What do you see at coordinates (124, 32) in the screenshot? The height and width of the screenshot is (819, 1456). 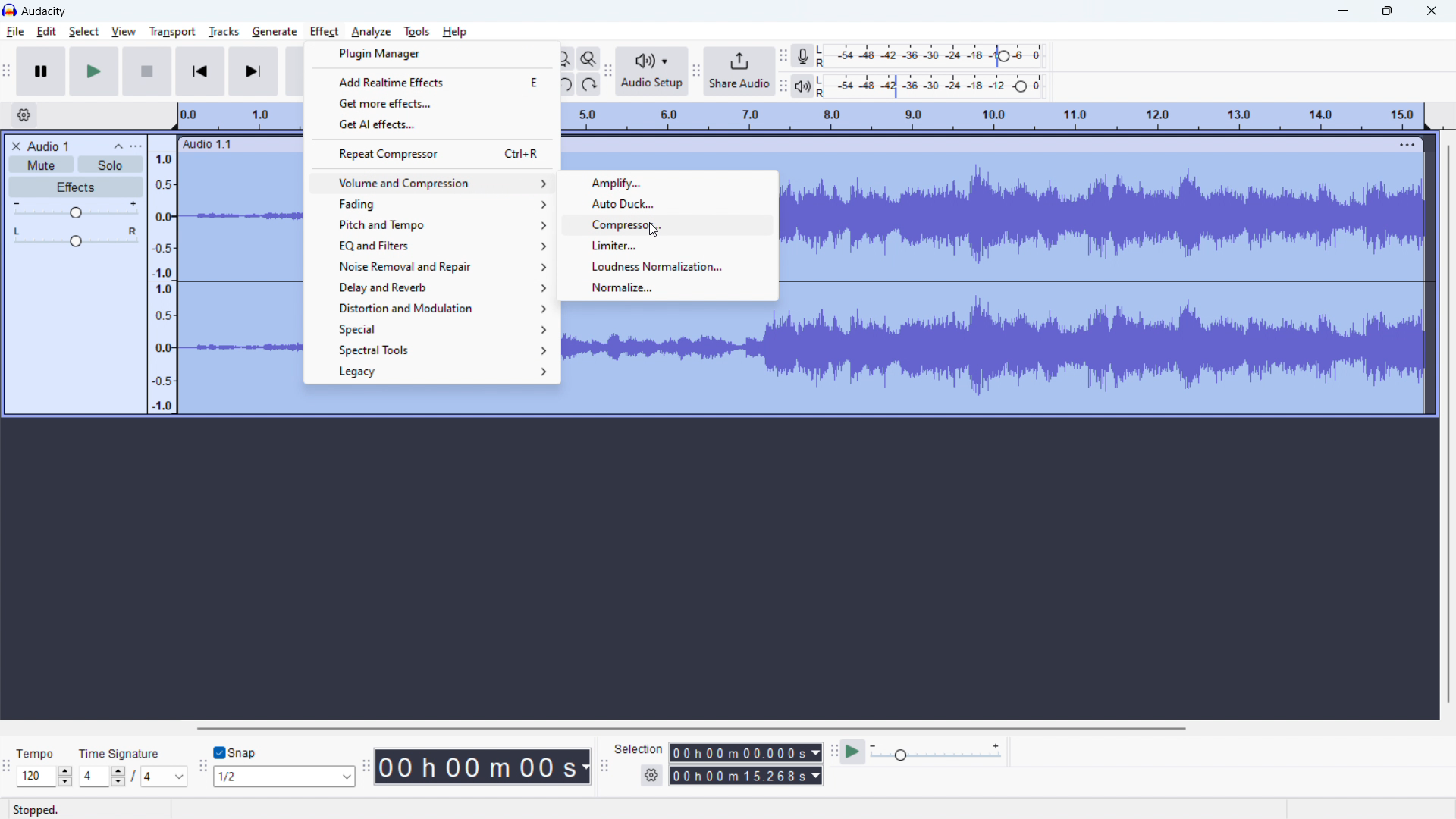 I see `view` at bounding box center [124, 32].